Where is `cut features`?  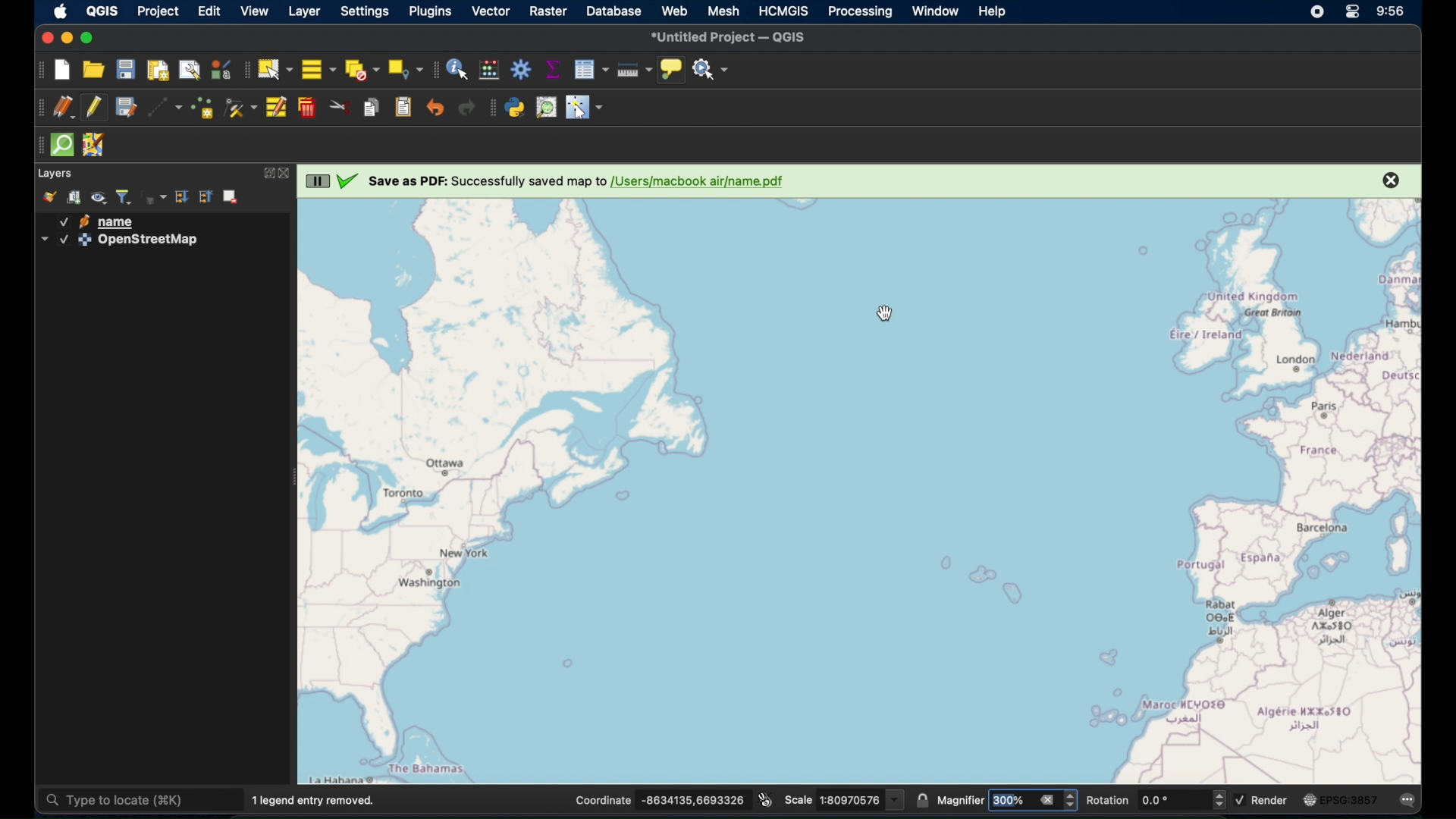 cut features is located at coordinates (340, 107).